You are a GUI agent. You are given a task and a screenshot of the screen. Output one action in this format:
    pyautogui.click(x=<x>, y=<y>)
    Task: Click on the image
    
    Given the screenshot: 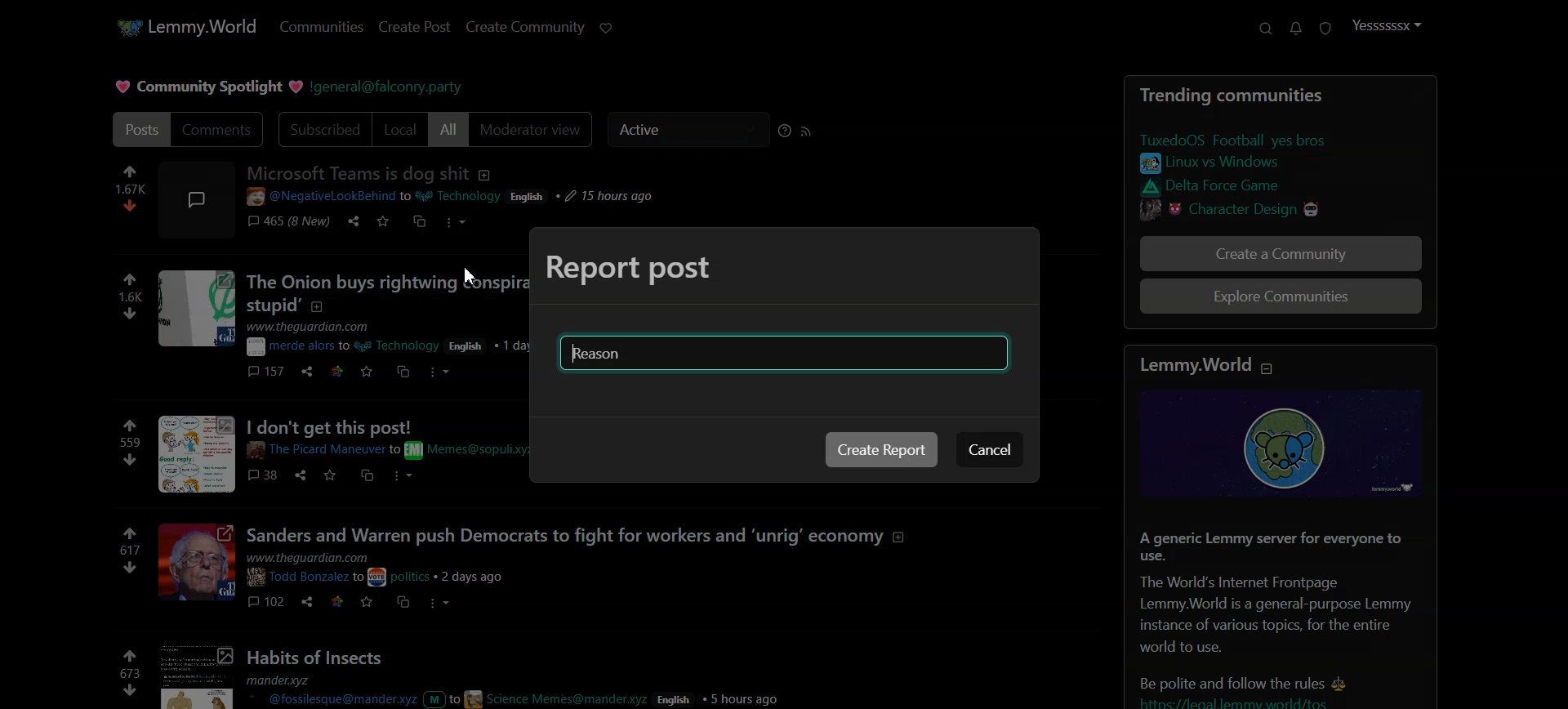 What is the action you would take?
    pyautogui.click(x=198, y=563)
    